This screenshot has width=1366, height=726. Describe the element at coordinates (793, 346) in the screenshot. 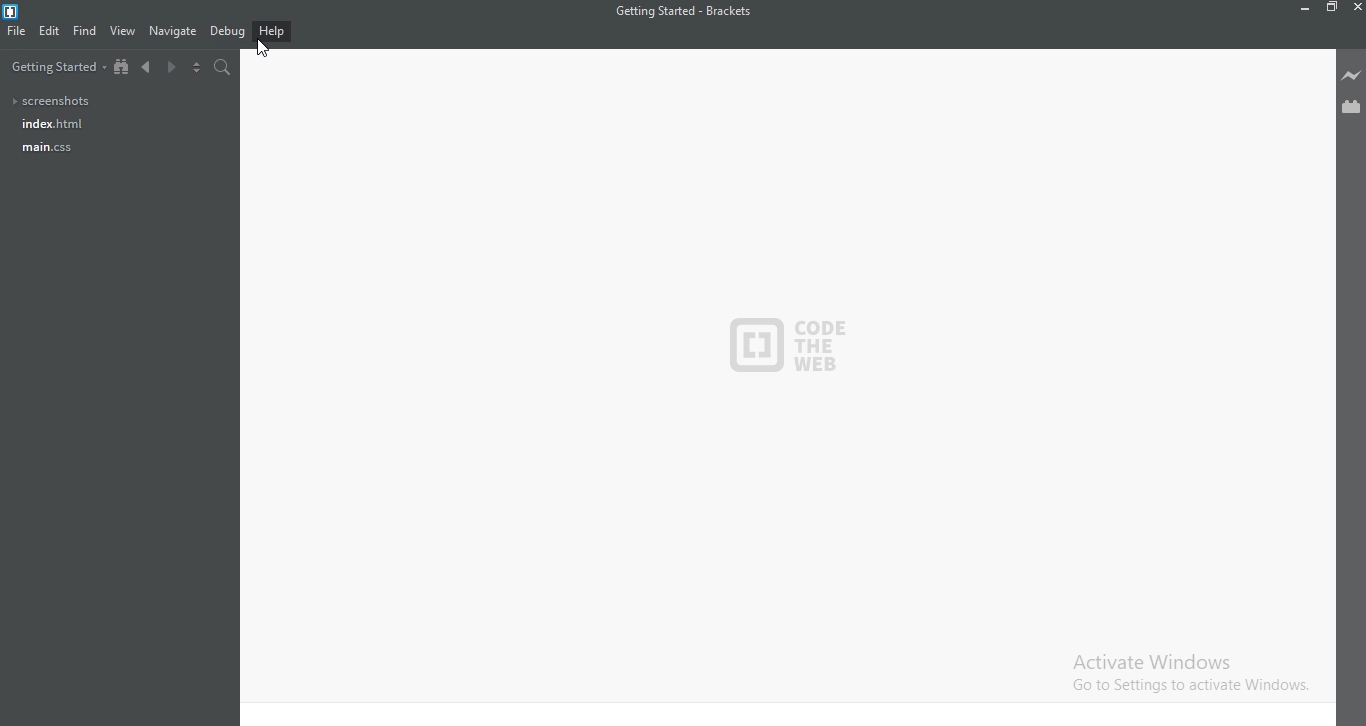

I see `logo` at that location.